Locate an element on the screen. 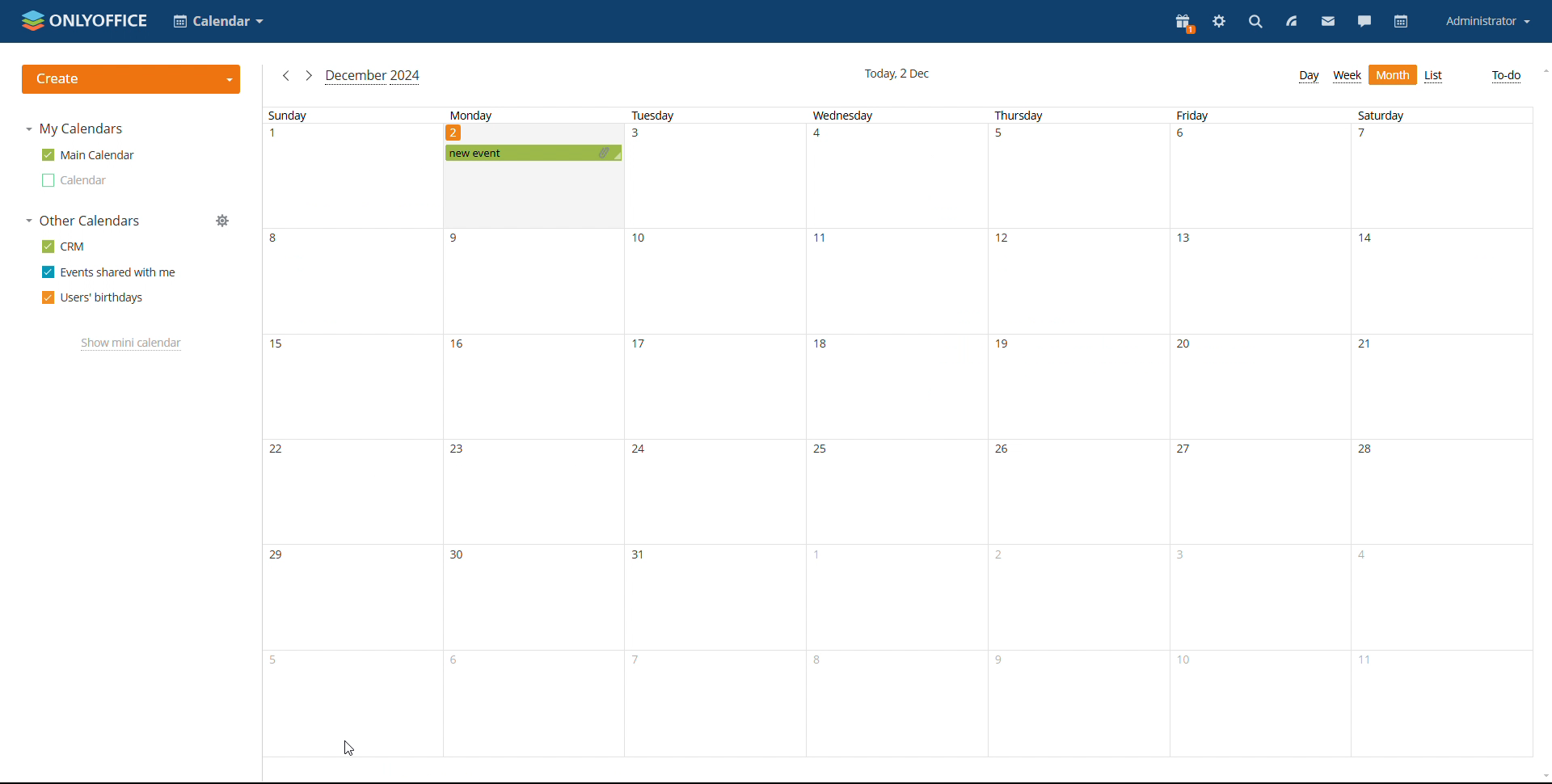 The height and width of the screenshot is (784, 1552). mail is located at coordinates (1328, 22).